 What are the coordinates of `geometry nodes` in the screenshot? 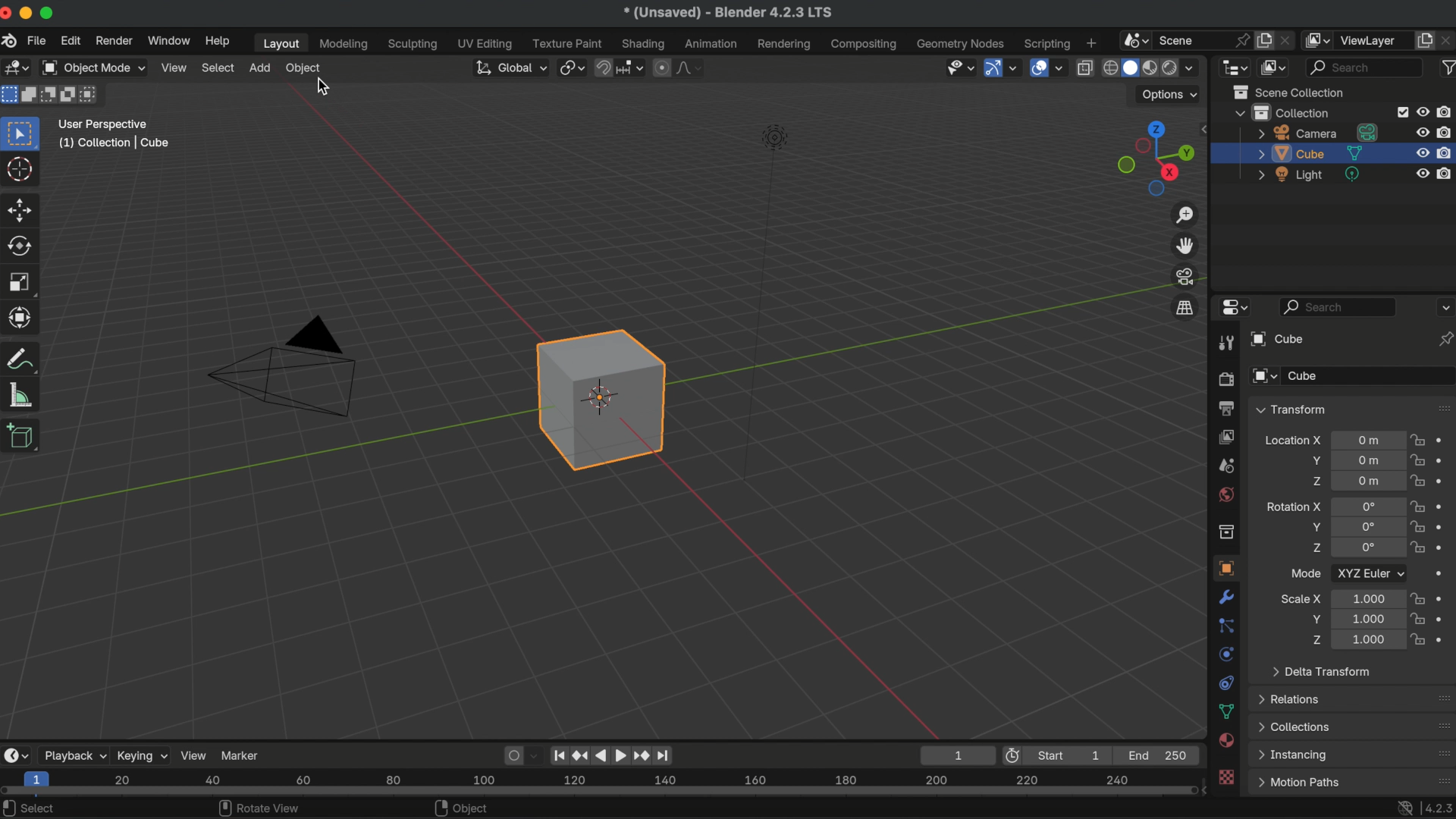 It's located at (962, 43).